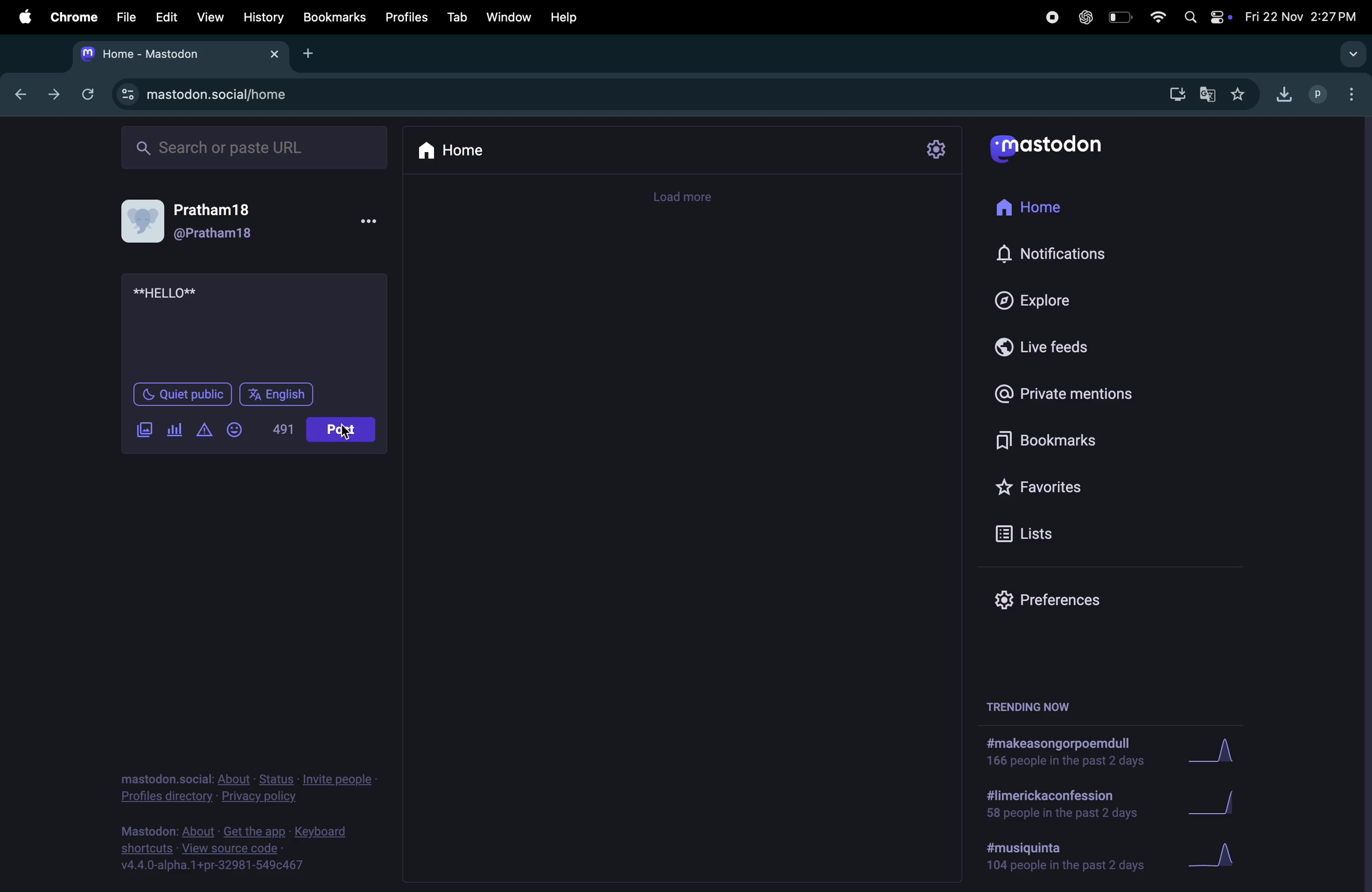  What do you see at coordinates (209, 16) in the screenshot?
I see `view` at bounding box center [209, 16].